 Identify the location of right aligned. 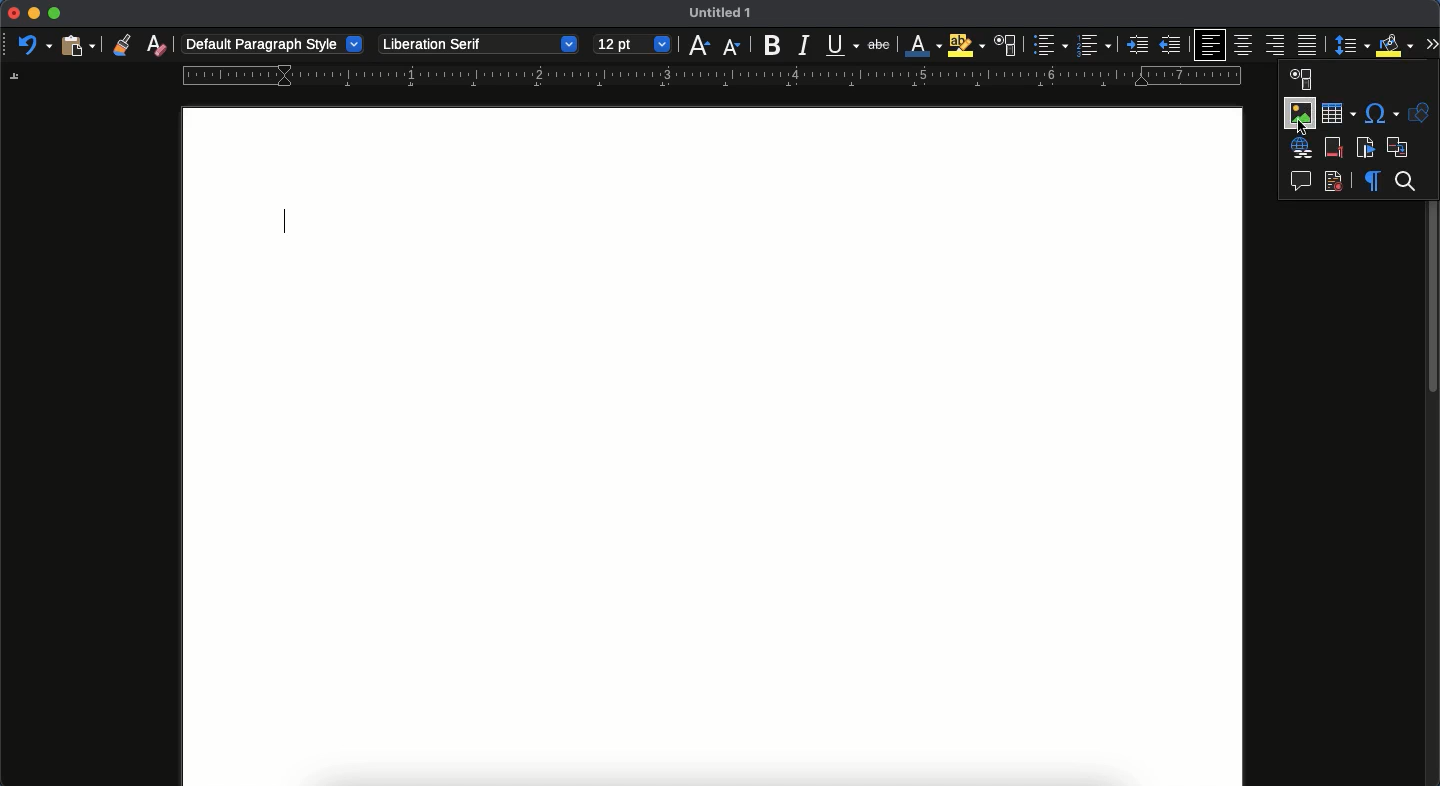
(1274, 46).